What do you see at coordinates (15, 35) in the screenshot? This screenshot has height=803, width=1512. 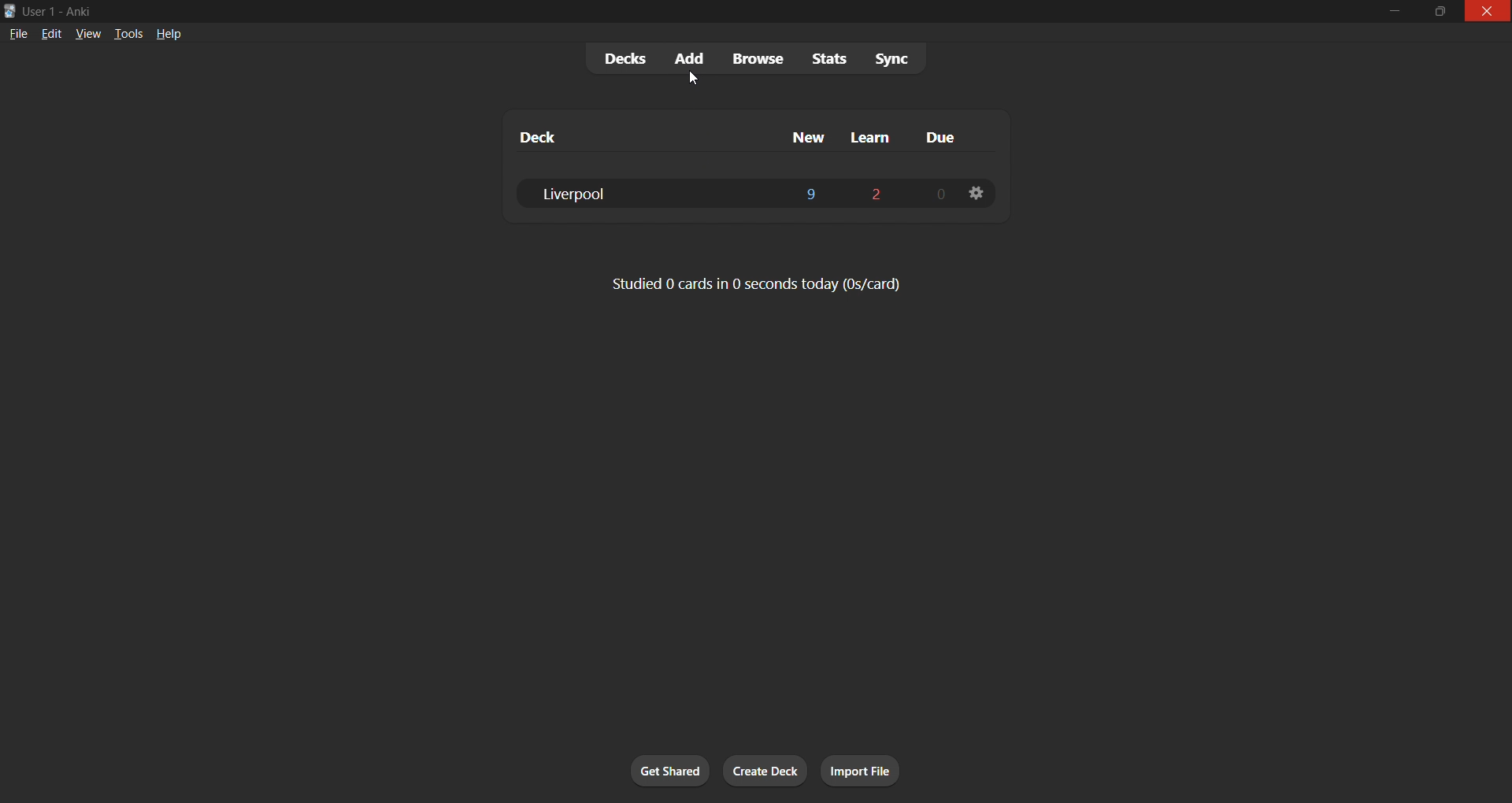 I see `file` at bounding box center [15, 35].